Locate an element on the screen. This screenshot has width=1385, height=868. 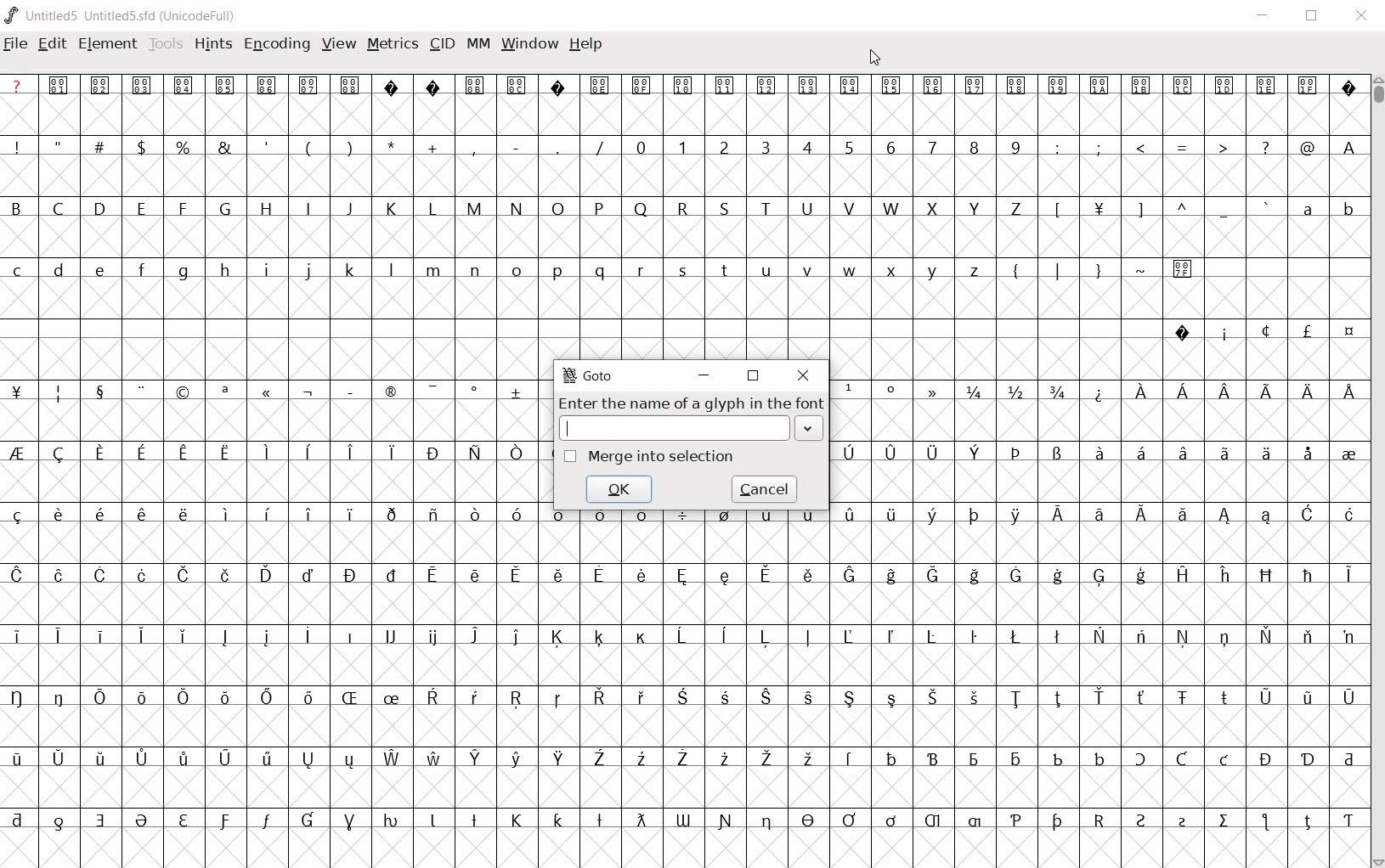
Symbol is located at coordinates (766, 822).